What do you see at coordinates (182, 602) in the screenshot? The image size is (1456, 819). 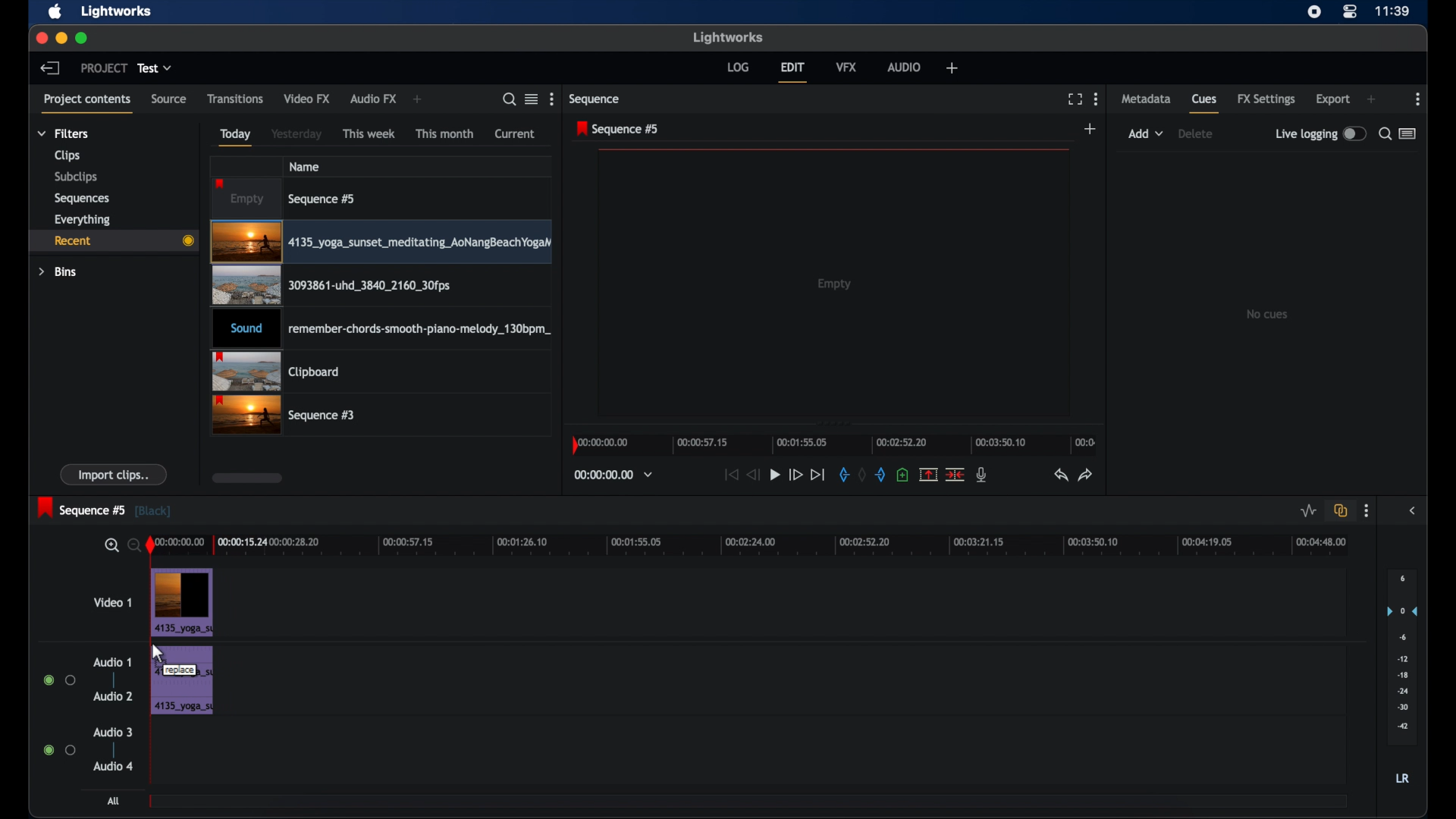 I see `video clip` at bounding box center [182, 602].